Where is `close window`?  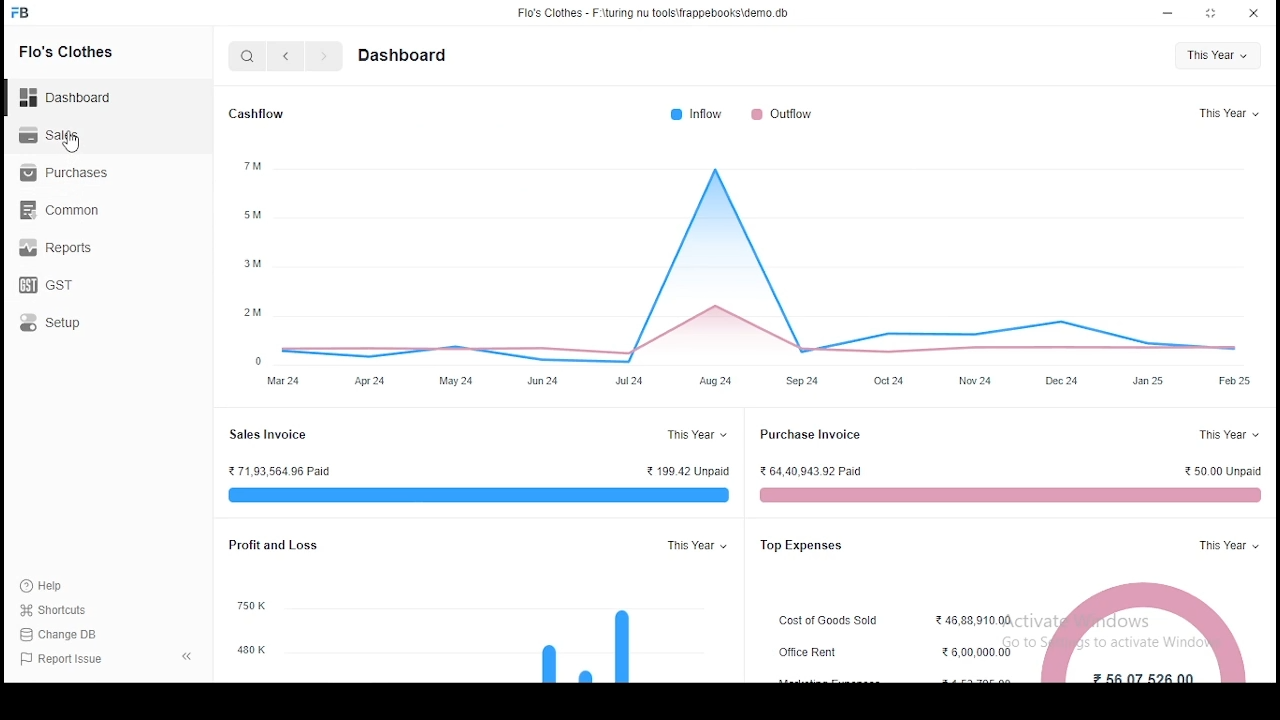
close window is located at coordinates (1252, 13).